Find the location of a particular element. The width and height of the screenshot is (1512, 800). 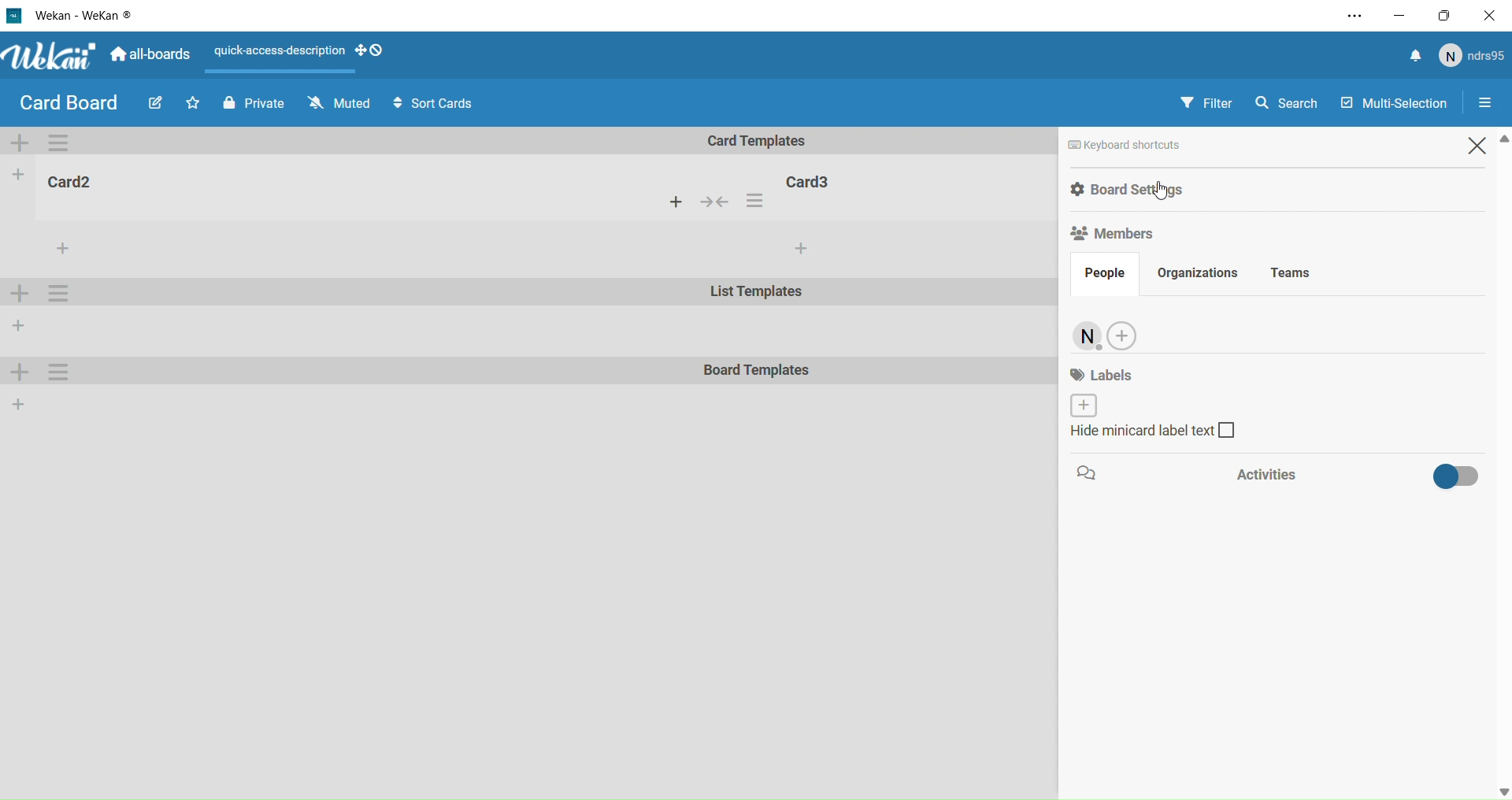

 is located at coordinates (17, 291).